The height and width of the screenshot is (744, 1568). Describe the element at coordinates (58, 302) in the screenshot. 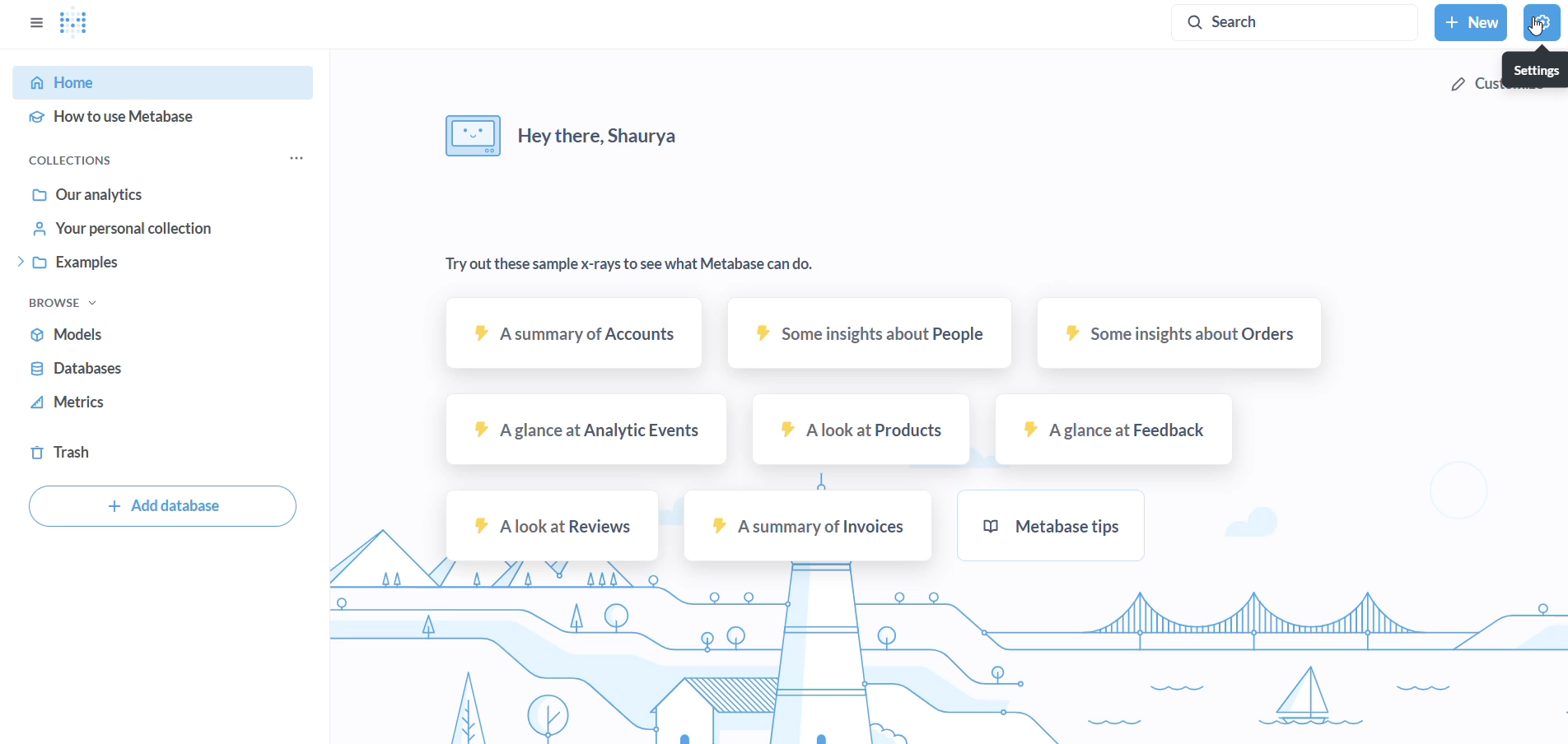

I see `BROWSE v` at that location.